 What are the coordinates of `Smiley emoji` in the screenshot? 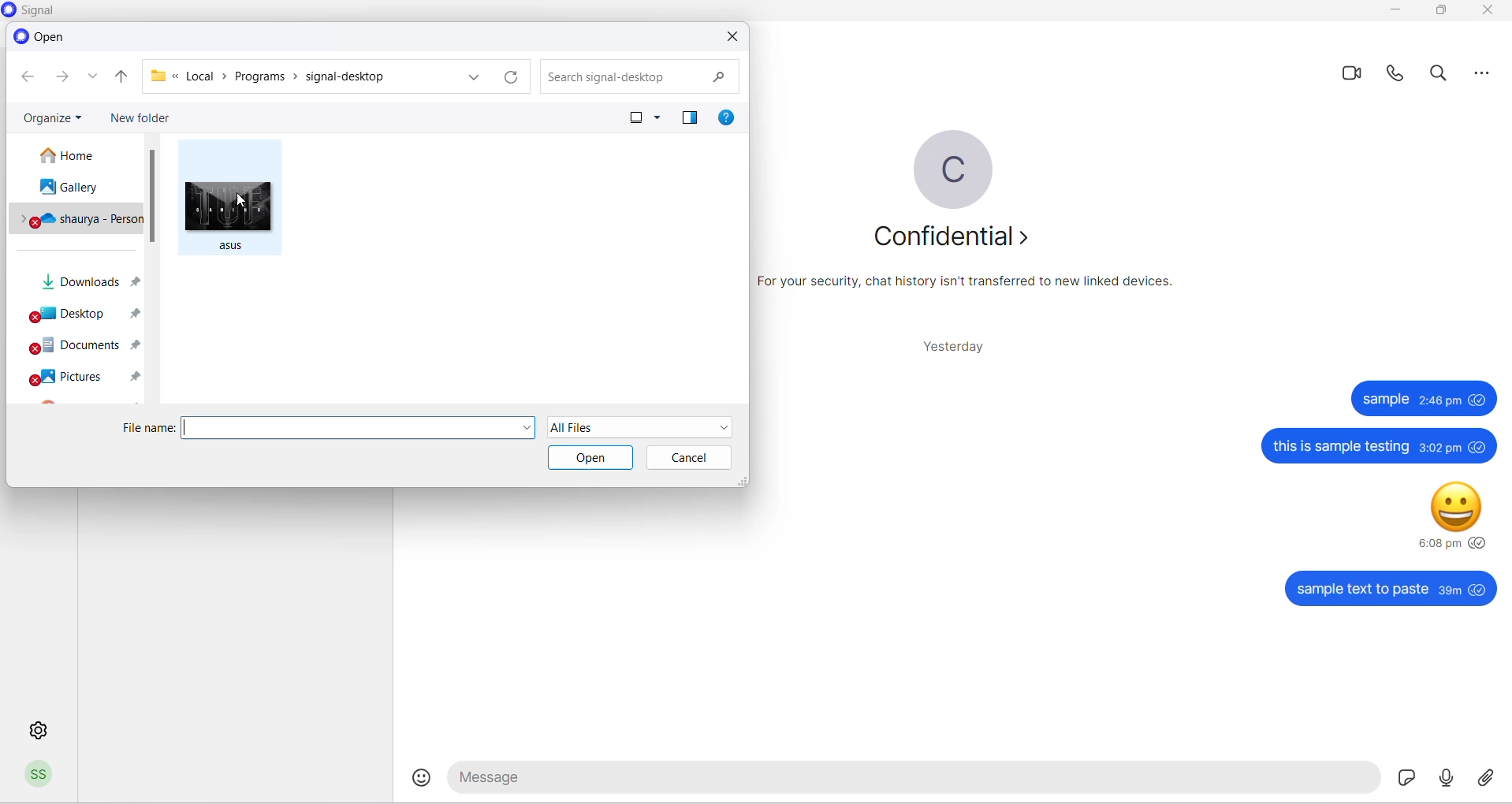 It's located at (1456, 509).